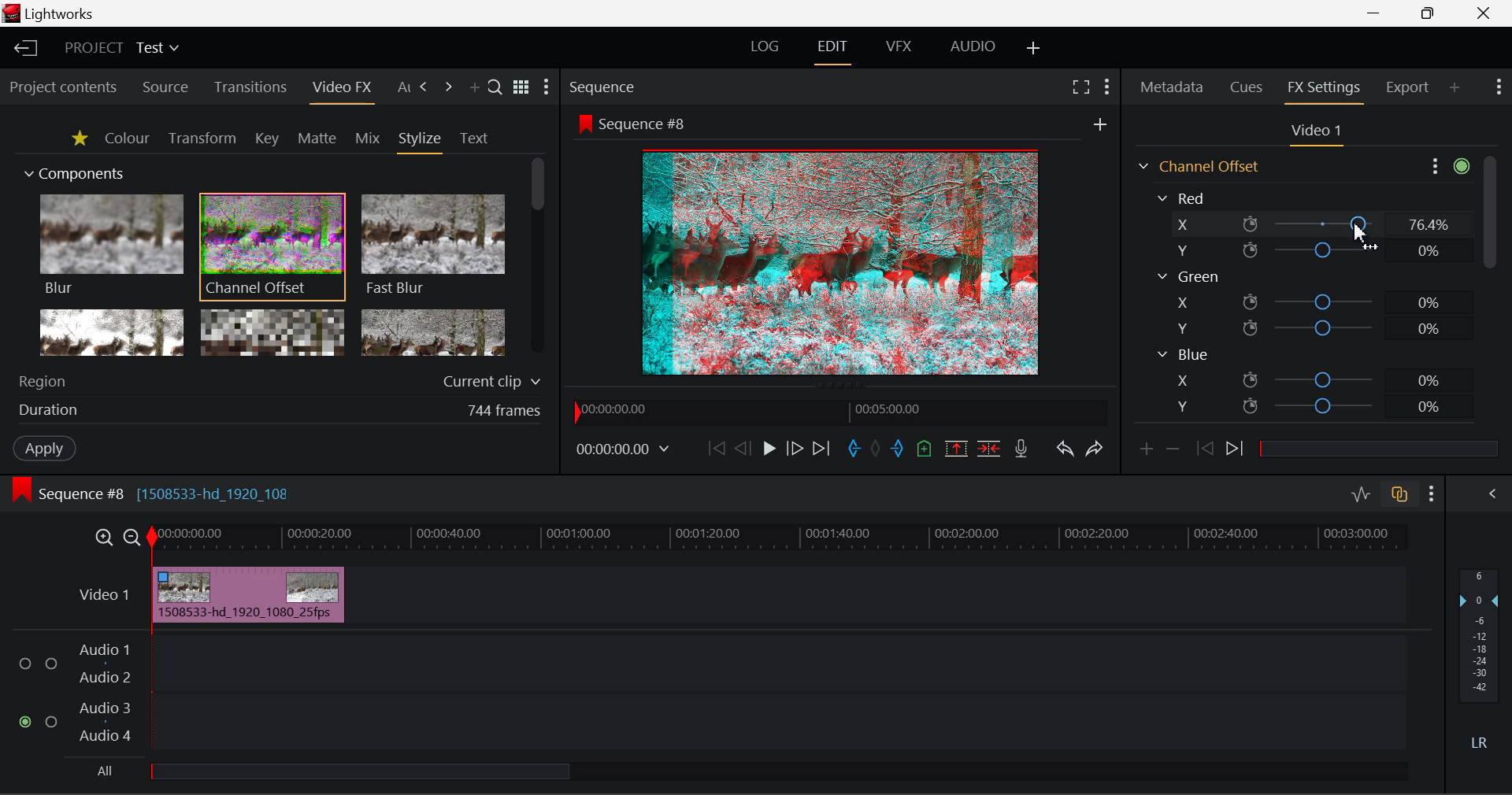 The image size is (1512, 795). Describe the element at coordinates (1398, 494) in the screenshot. I see `Toggle auto track sync` at that location.